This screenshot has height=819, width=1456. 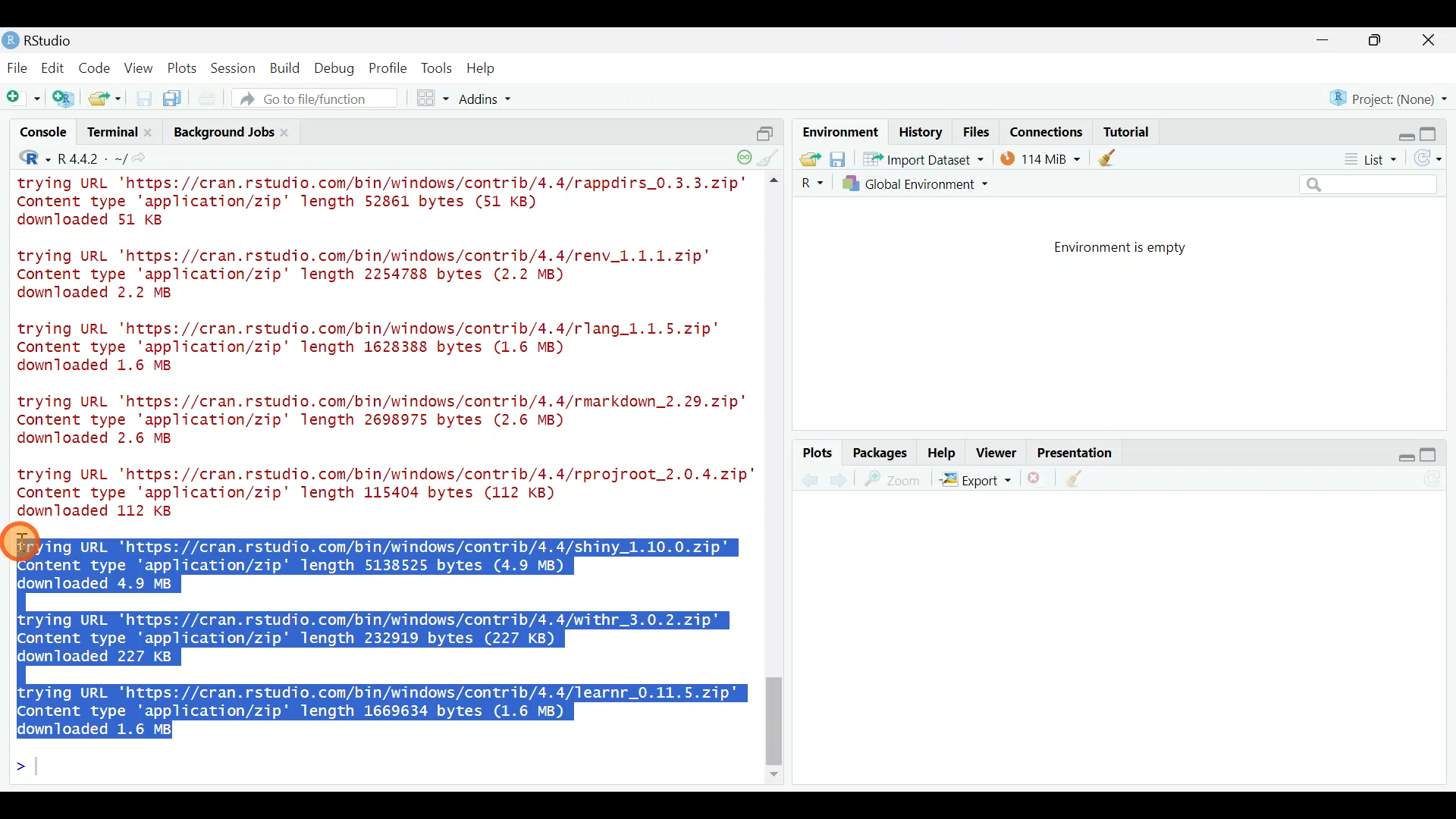 What do you see at coordinates (806, 158) in the screenshot?
I see `Load workspace` at bounding box center [806, 158].